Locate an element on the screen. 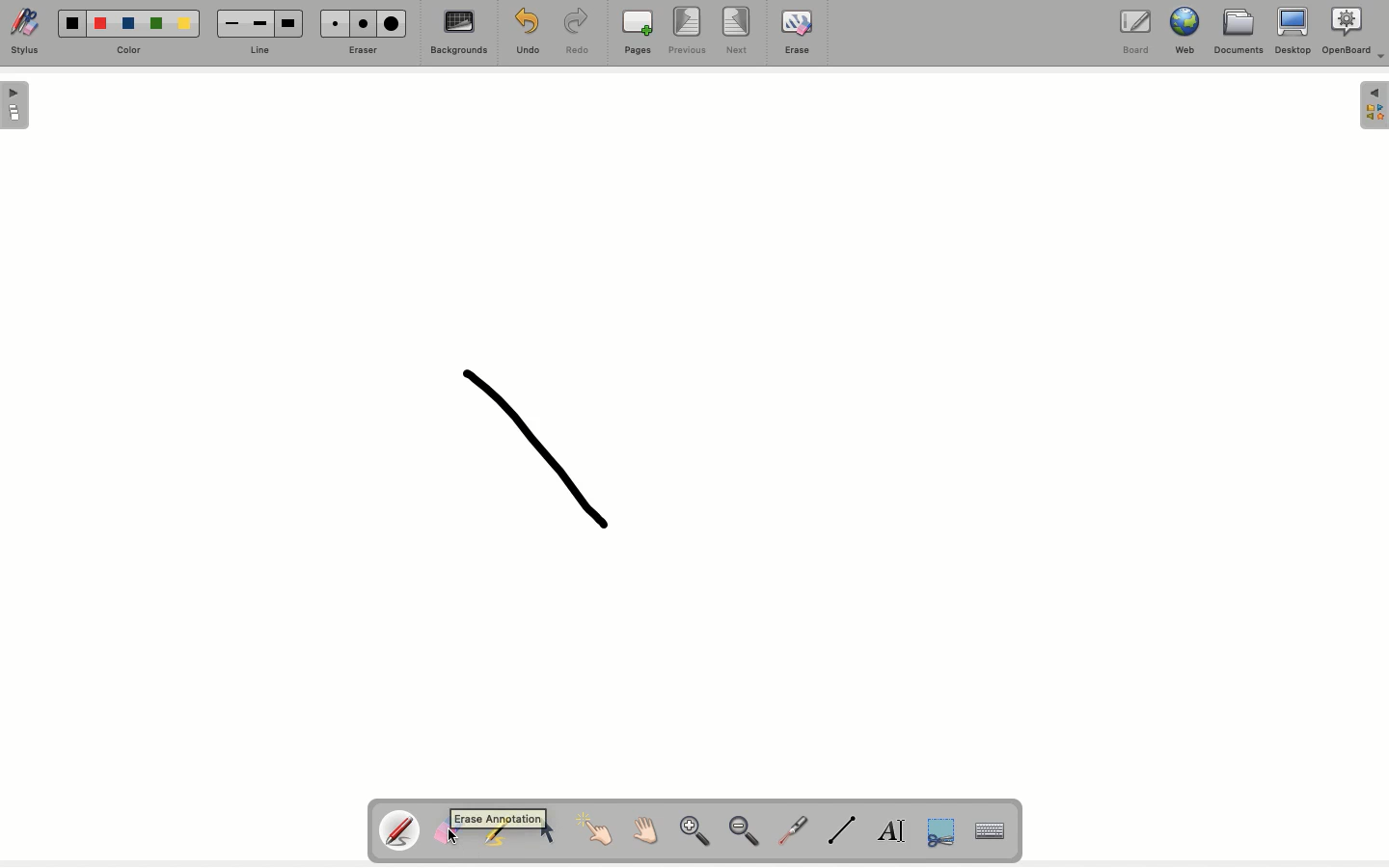 Image resolution: width=1389 pixels, height=868 pixels. Menu is located at coordinates (1374, 107).